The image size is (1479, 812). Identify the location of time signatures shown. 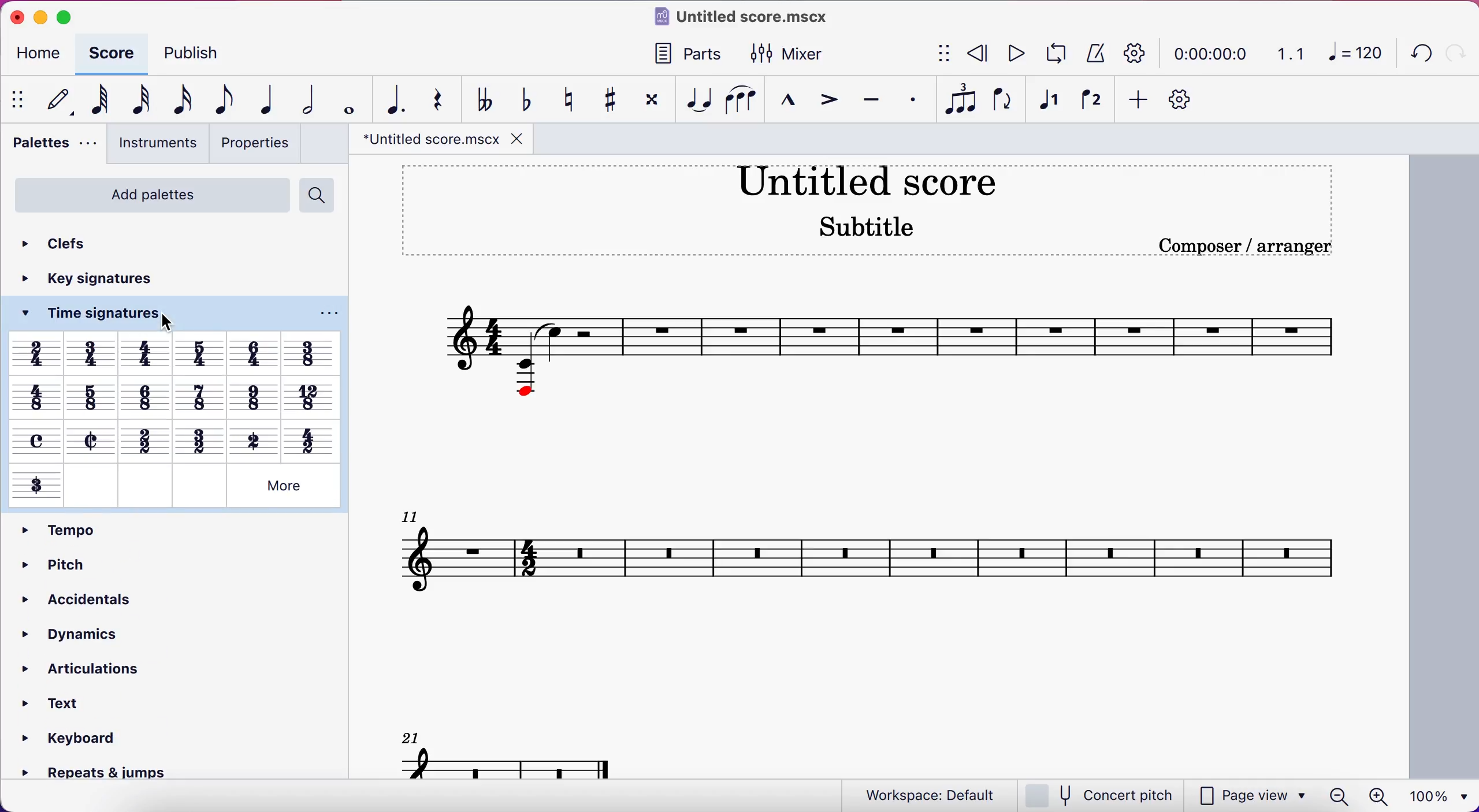
(176, 398).